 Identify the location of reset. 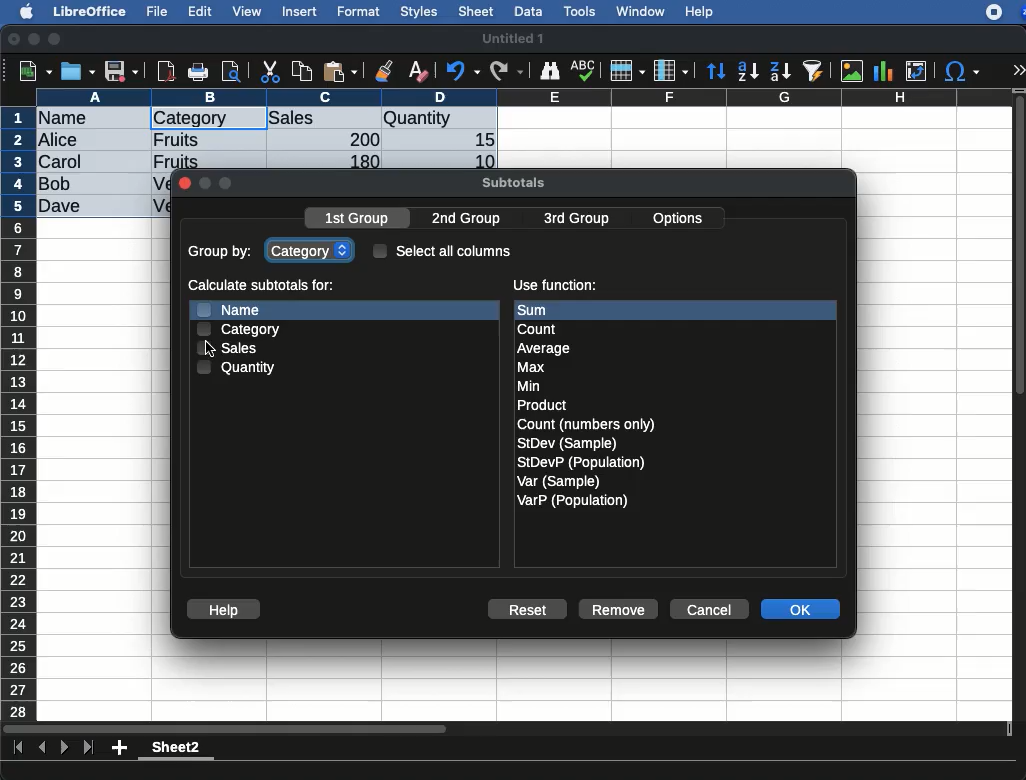
(532, 611).